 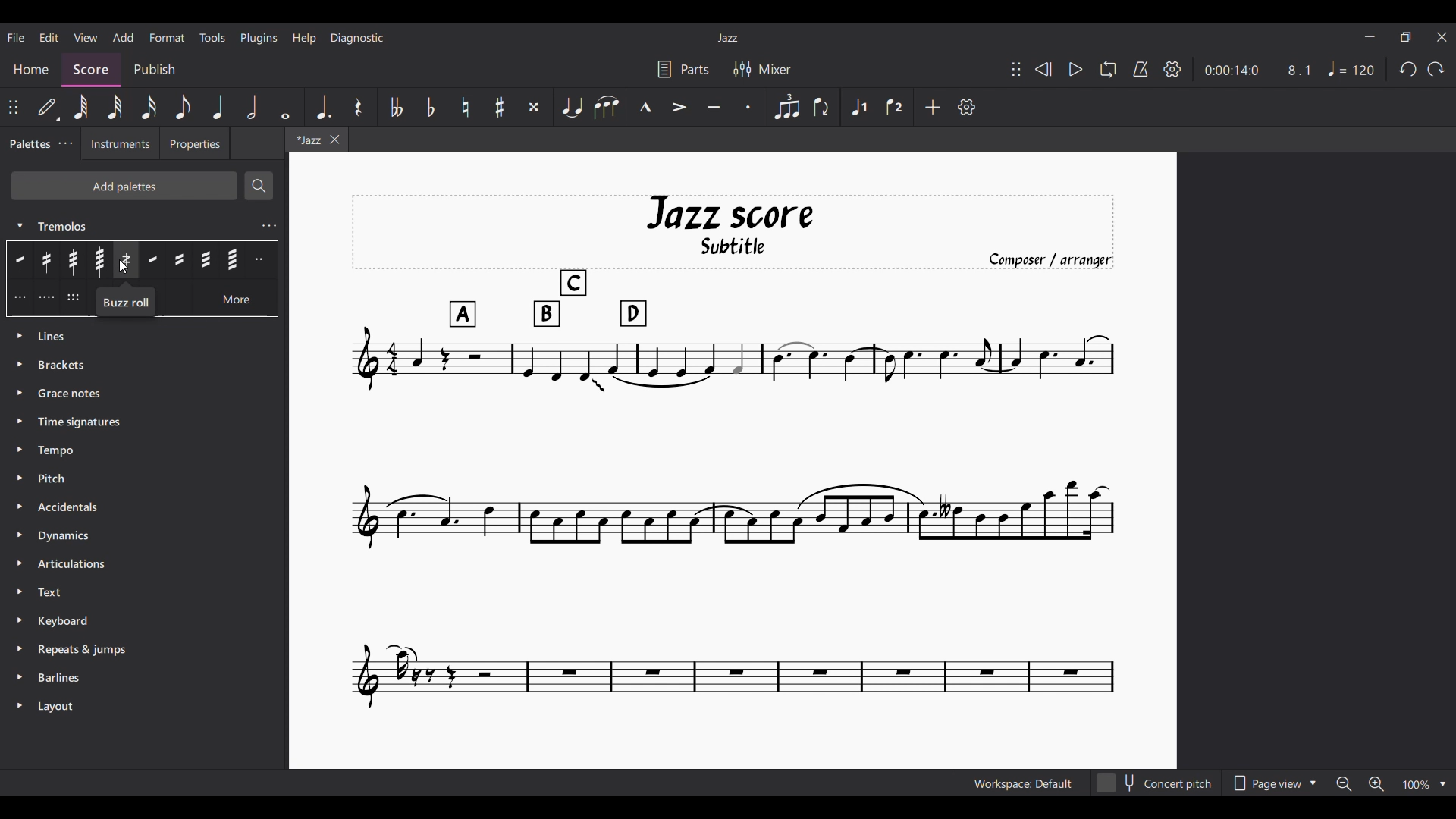 What do you see at coordinates (645, 107) in the screenshot?
I see `Marcato` at bounding box center [645, 107].